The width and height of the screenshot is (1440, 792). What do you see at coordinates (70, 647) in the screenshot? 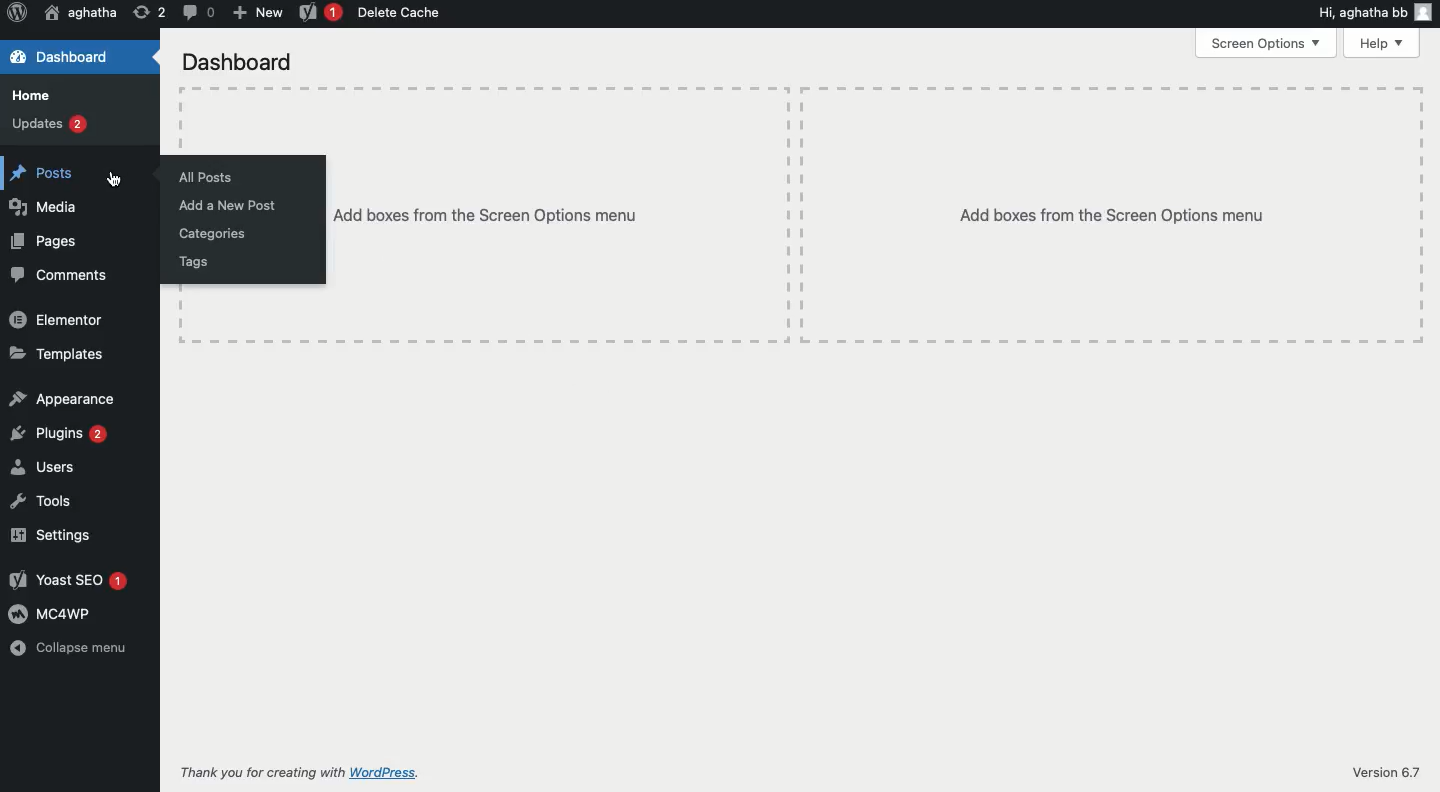
I see `Collapse menu` at bounding box center [70, 647].